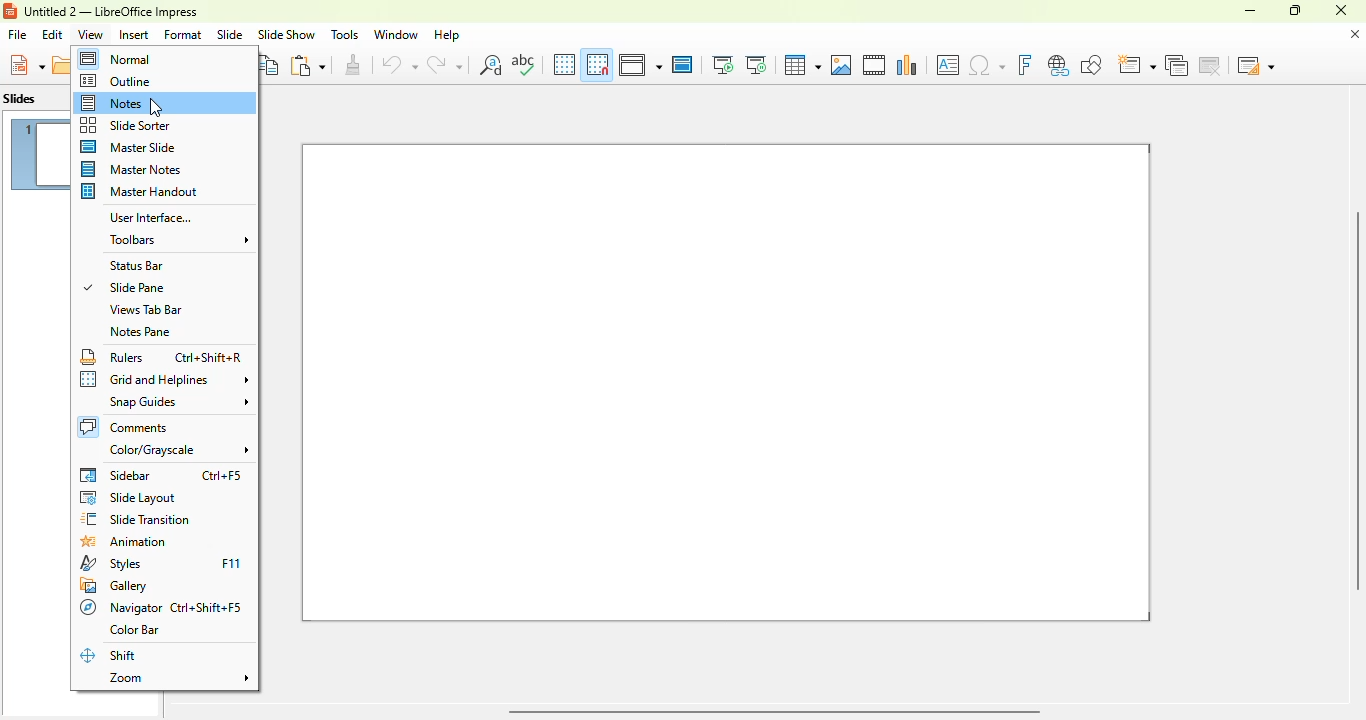  Describe the element at coordinates (640, 64) in the screenshot. I see `display views` at that location.